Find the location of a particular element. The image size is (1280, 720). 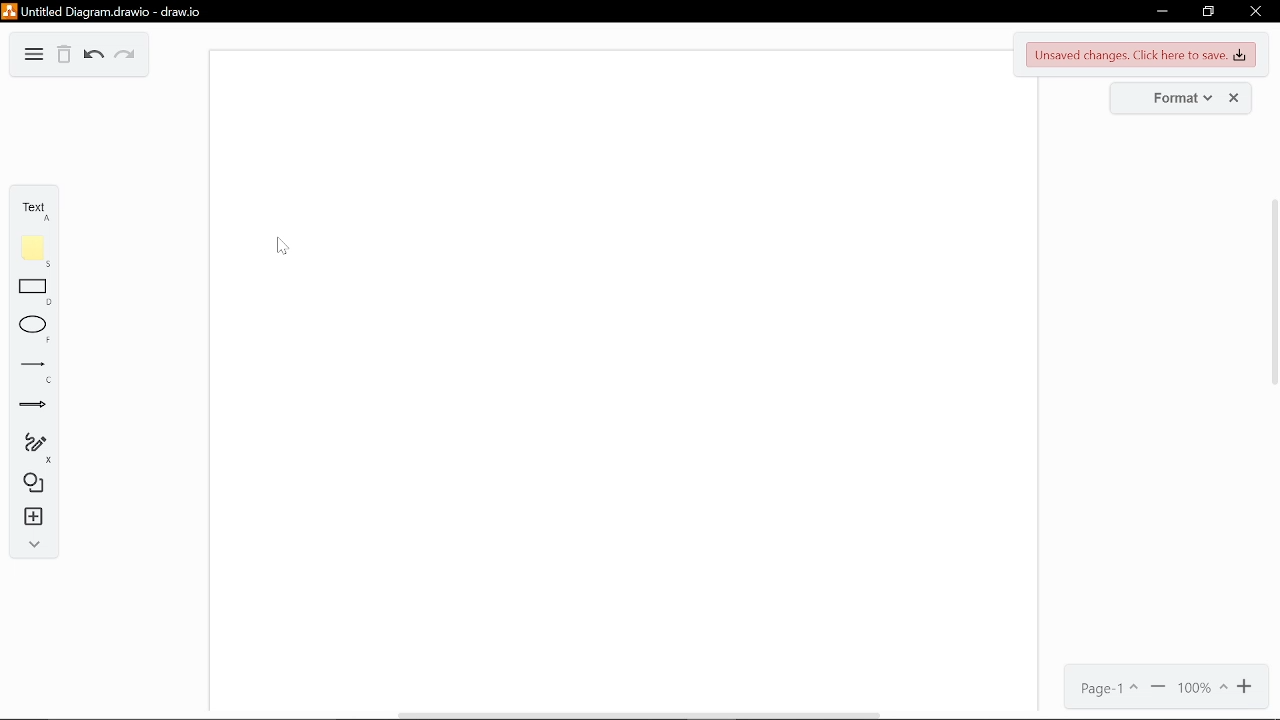

horizontal scrollbar is located at coordinates (642, 715).